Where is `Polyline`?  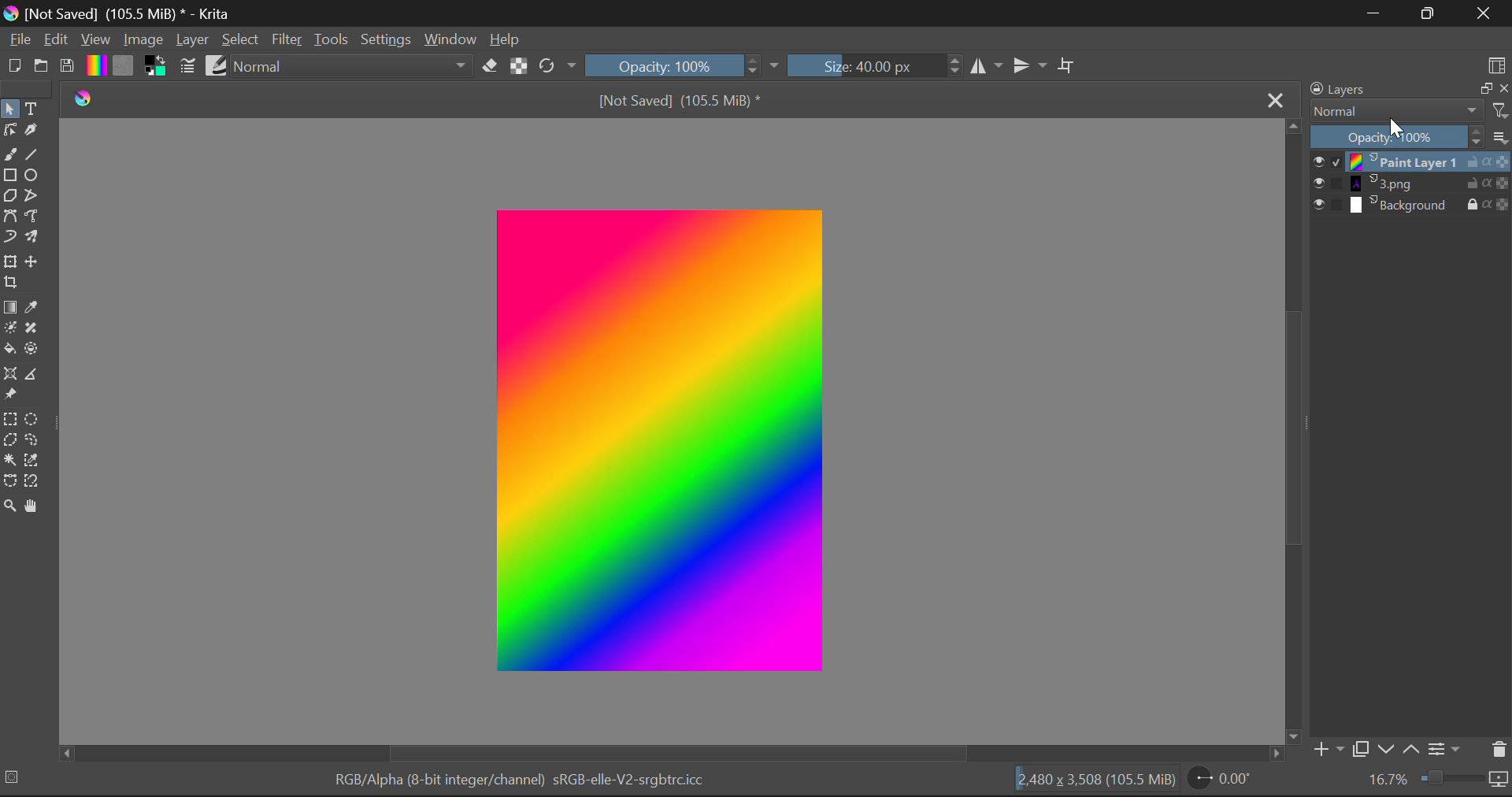
Polyline is located at coordinates (34, 196).